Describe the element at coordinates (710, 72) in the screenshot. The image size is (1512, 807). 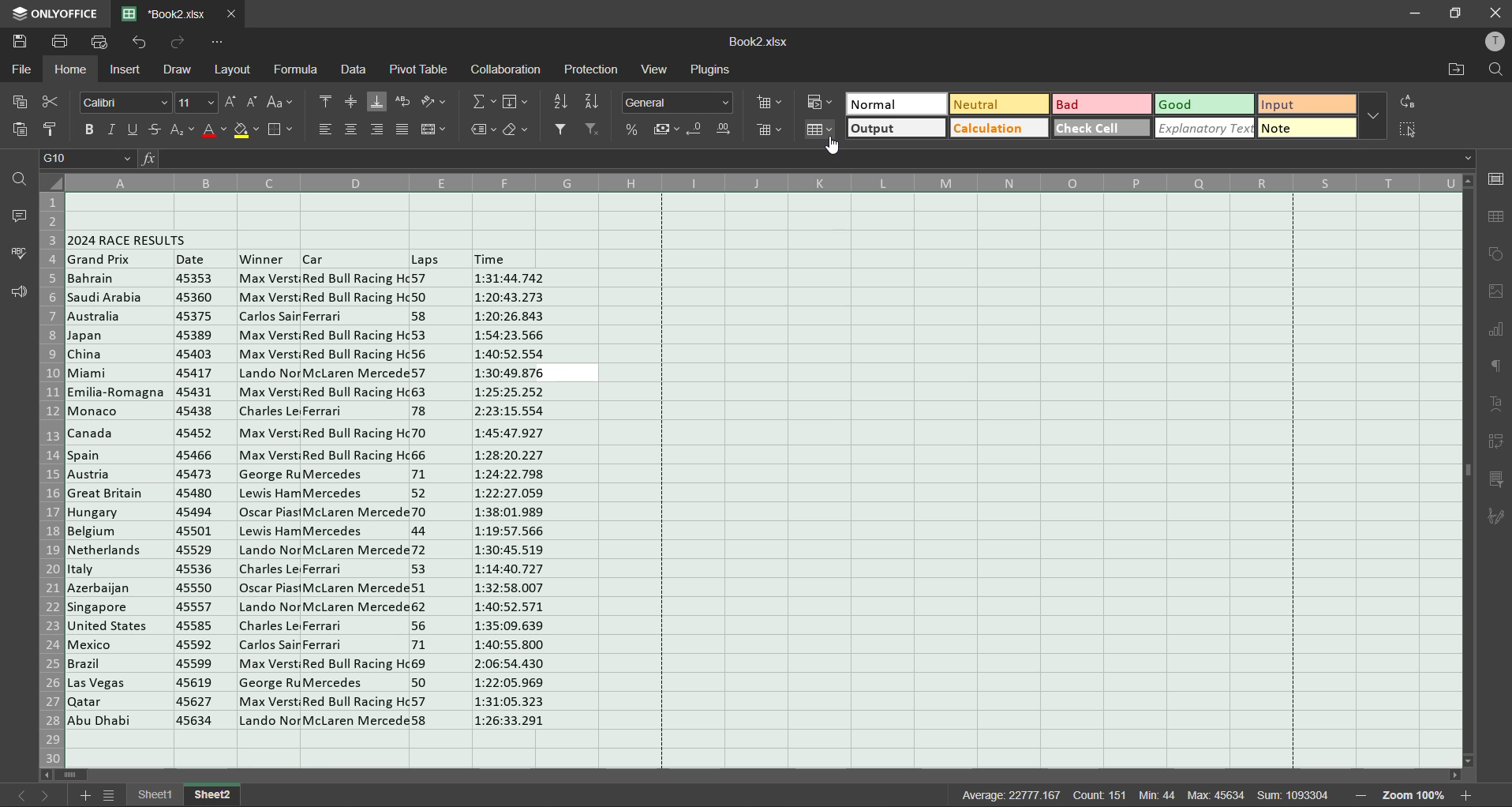
I see `plugins` at that location.